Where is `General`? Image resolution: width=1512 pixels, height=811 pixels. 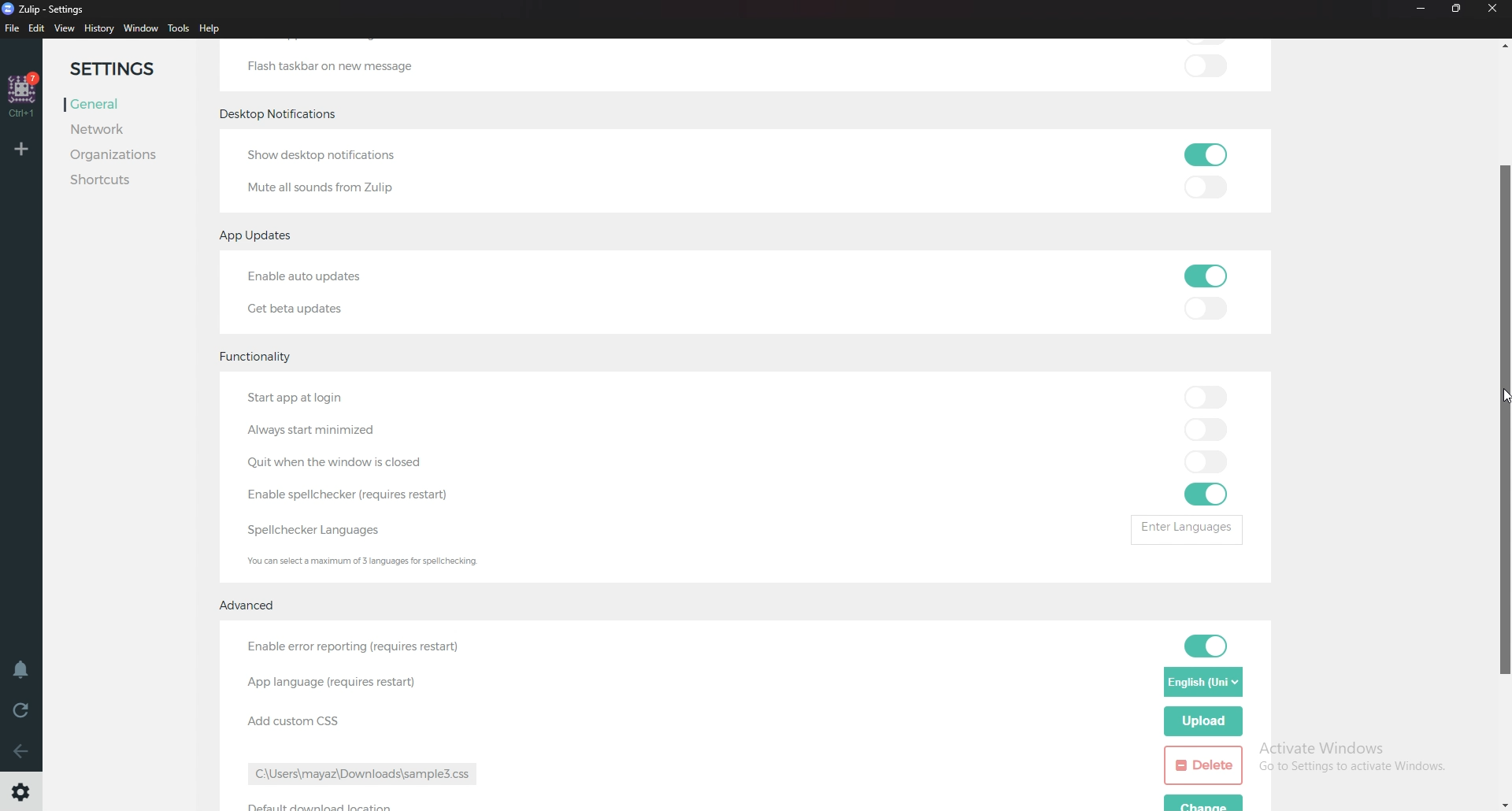 General is located at coordinates (117, 105).